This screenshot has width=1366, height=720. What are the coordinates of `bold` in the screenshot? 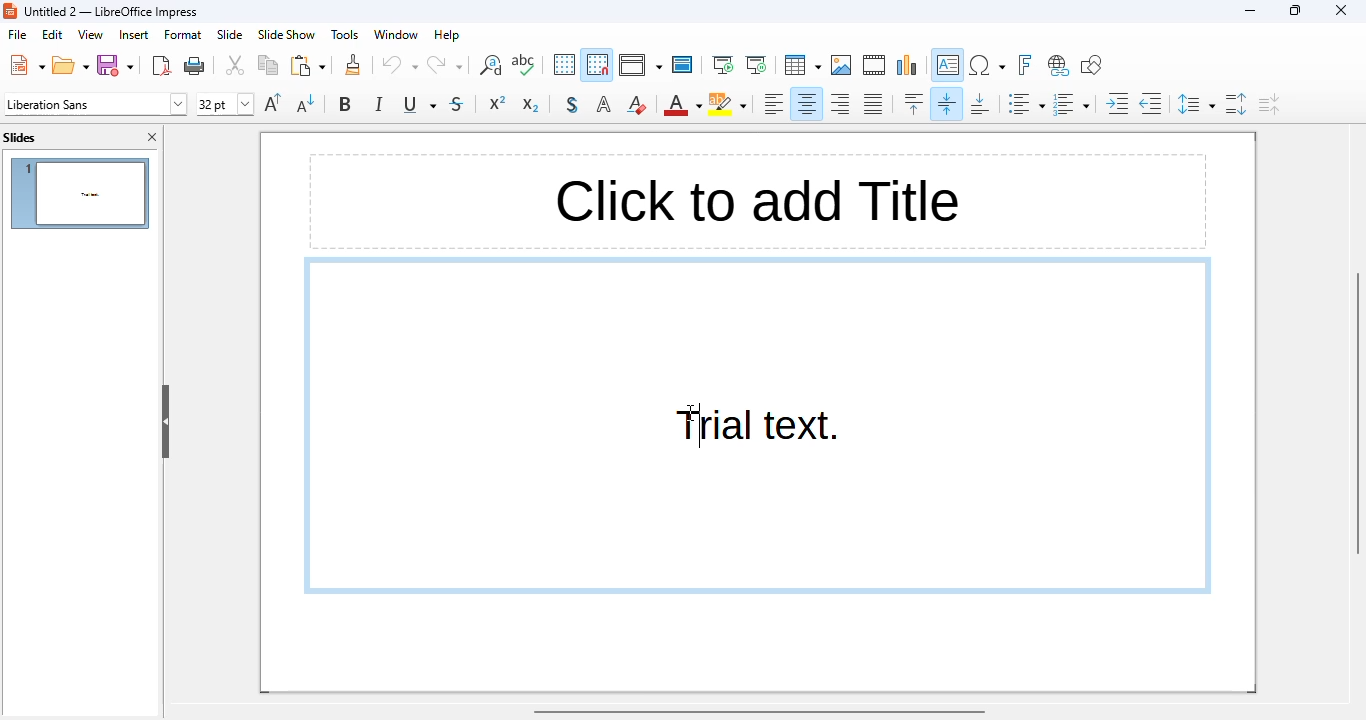 It's located at (345, 103).